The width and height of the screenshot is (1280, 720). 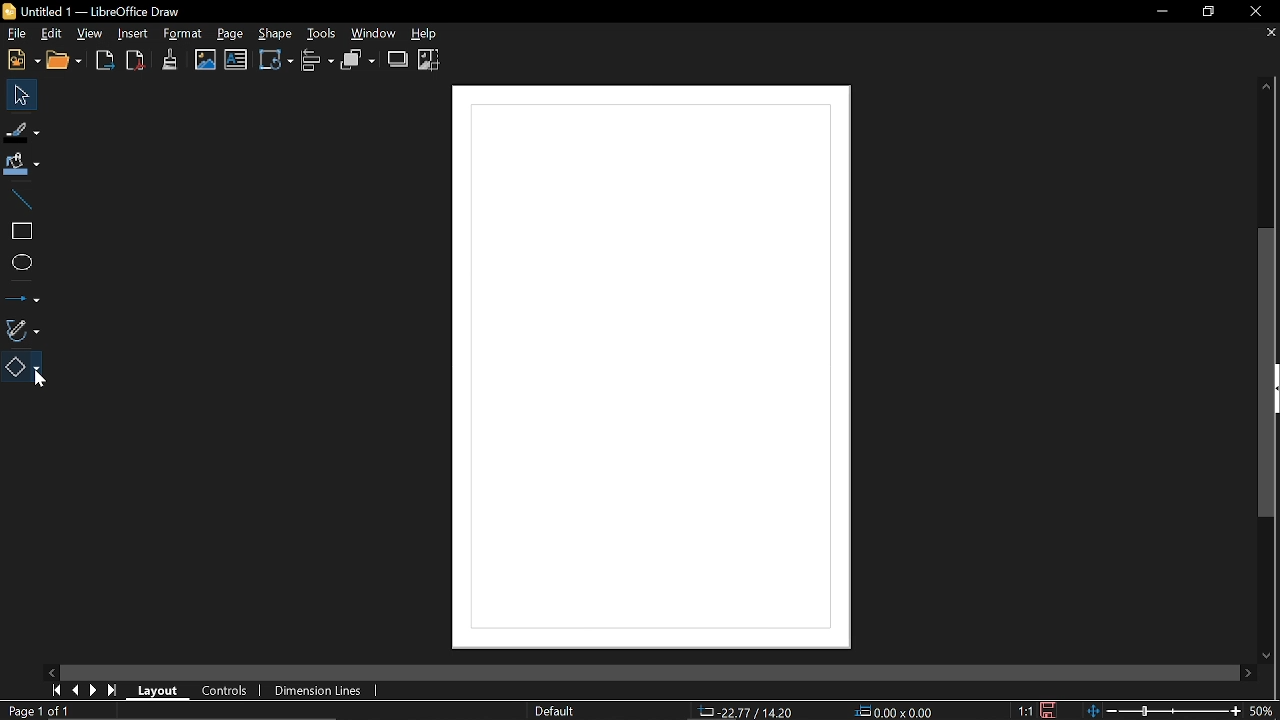 What do you see at coordinates (429, 60) in the screenshot?
I see `Crop` at bounding box center [429, 60].